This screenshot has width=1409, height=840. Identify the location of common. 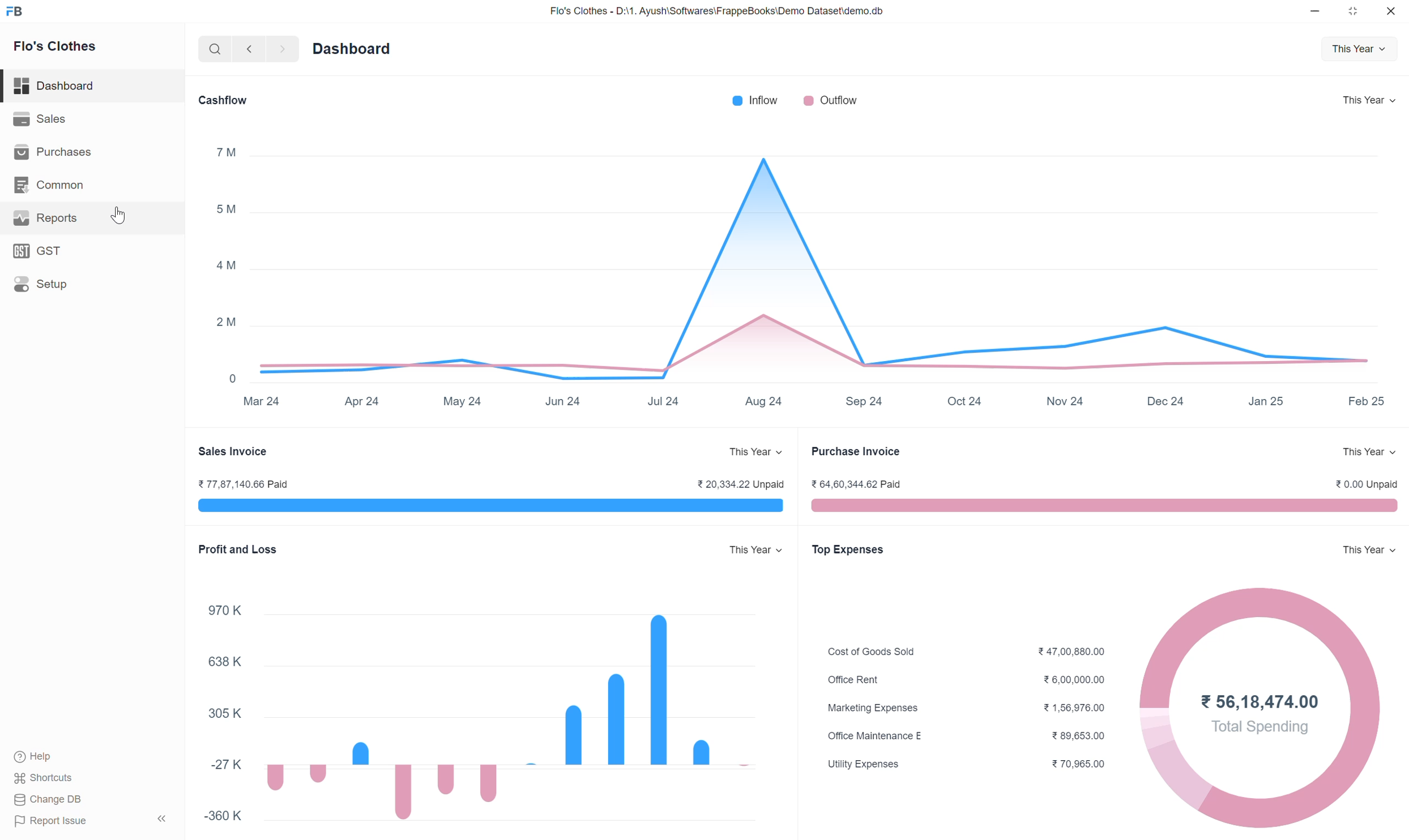
(94, 185).